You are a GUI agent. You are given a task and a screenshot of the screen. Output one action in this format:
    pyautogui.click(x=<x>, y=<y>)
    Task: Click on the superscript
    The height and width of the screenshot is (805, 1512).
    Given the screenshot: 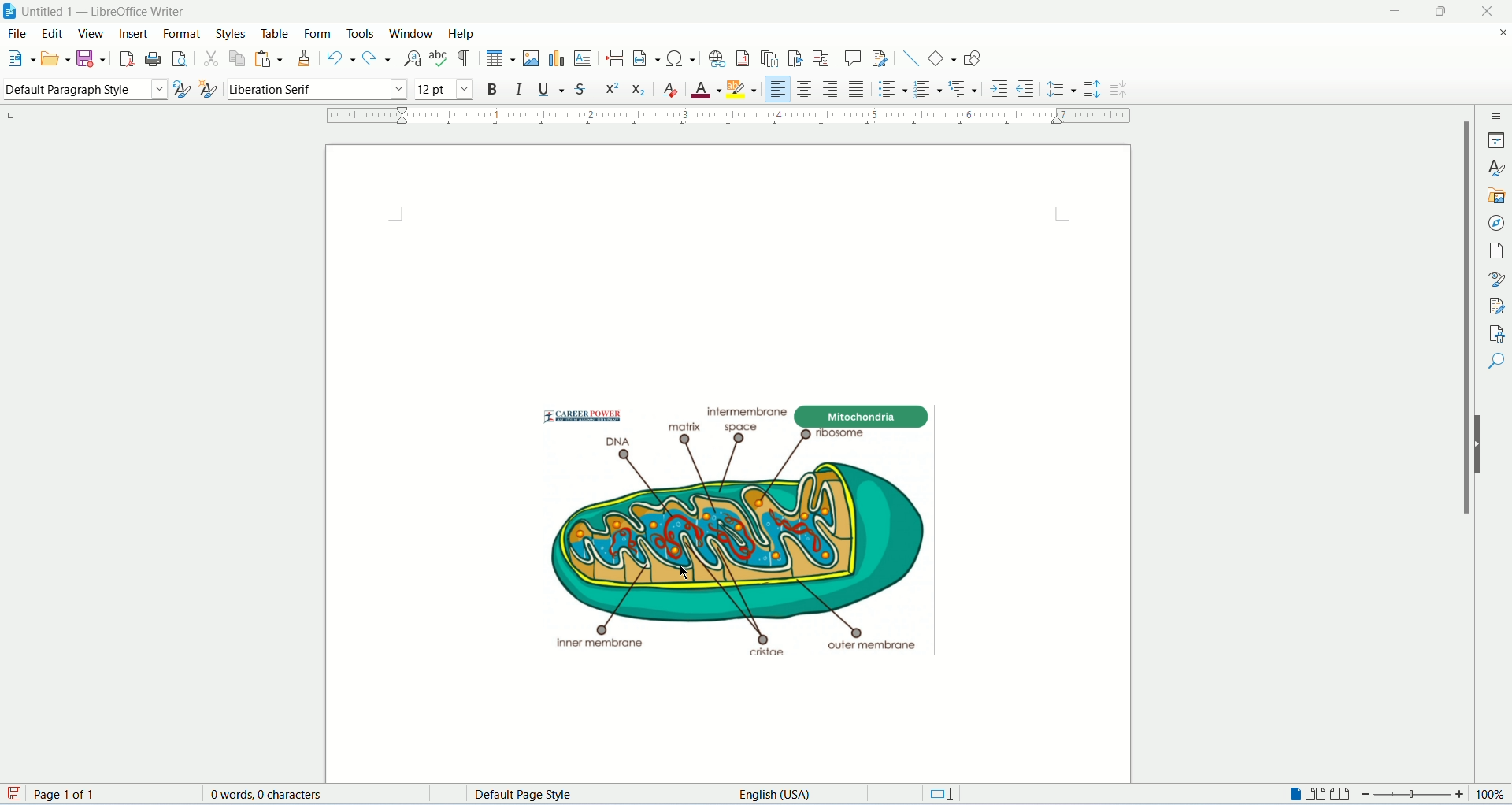 What is the action you would take?
    pyautogui.click(x=614, y=91)
    